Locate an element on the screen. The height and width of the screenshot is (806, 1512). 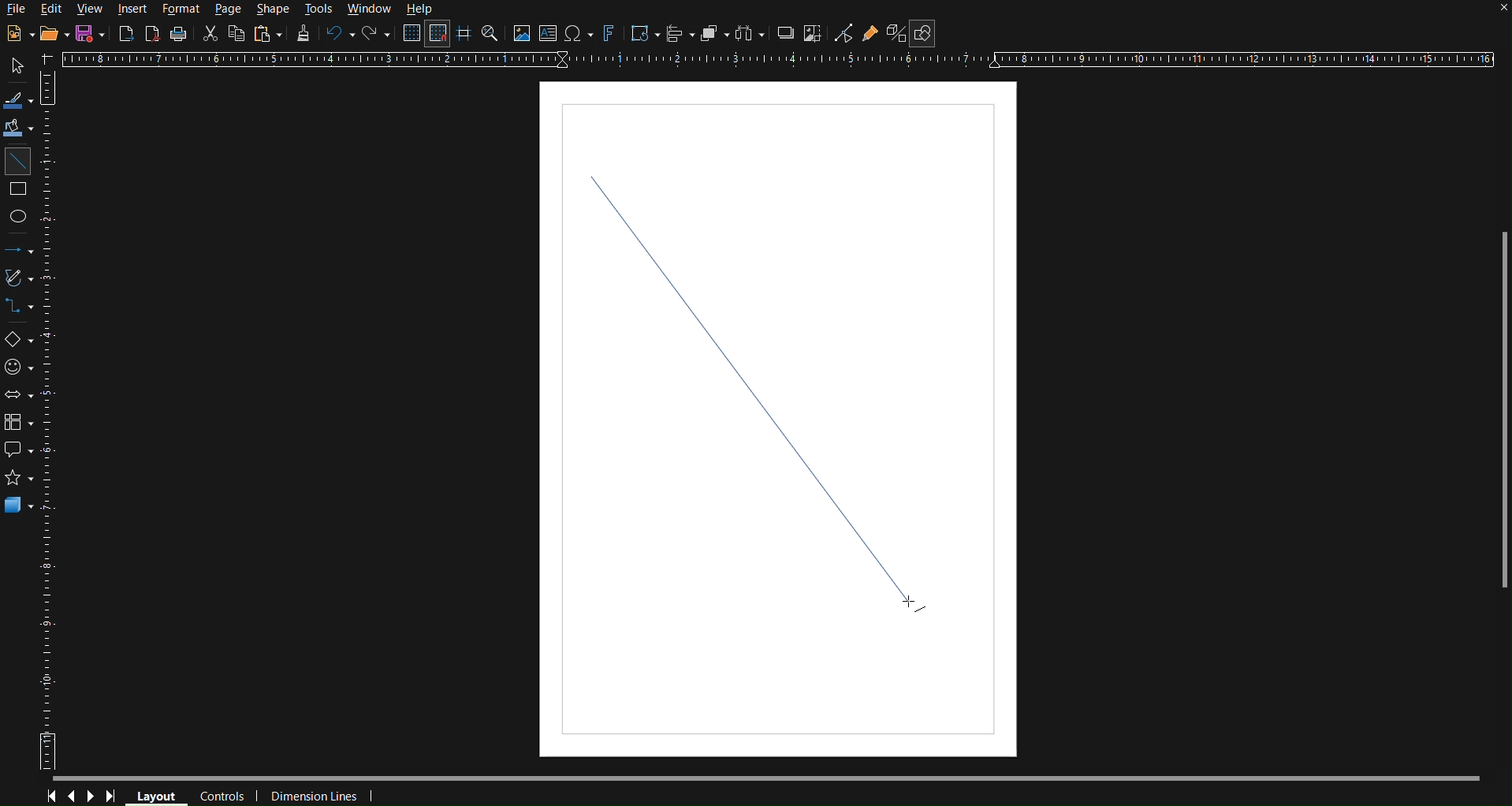
Layout is located at coordinates (158, 796).